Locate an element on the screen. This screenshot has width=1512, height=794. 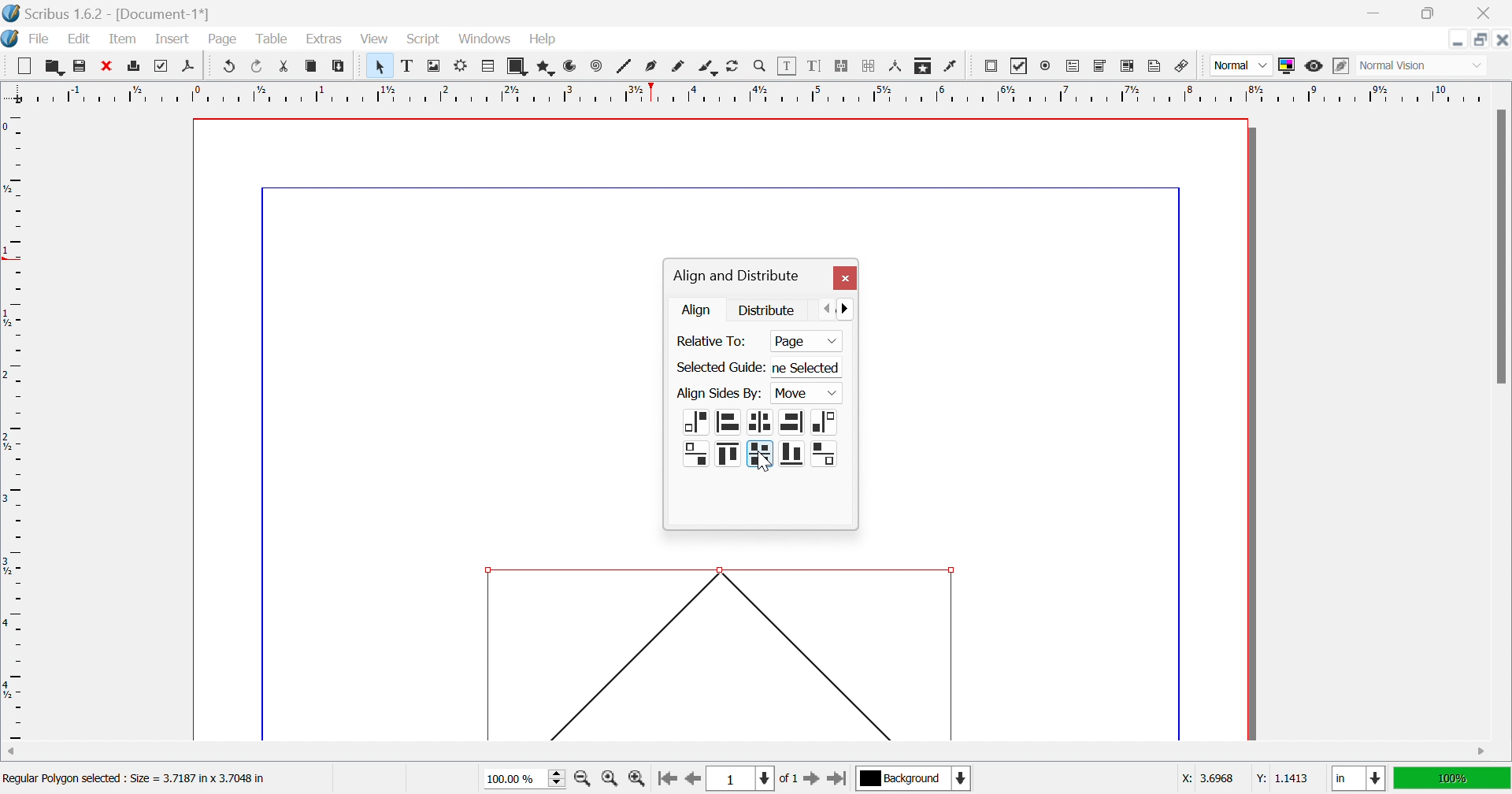
Ruler is located at coordinates (746, 92).